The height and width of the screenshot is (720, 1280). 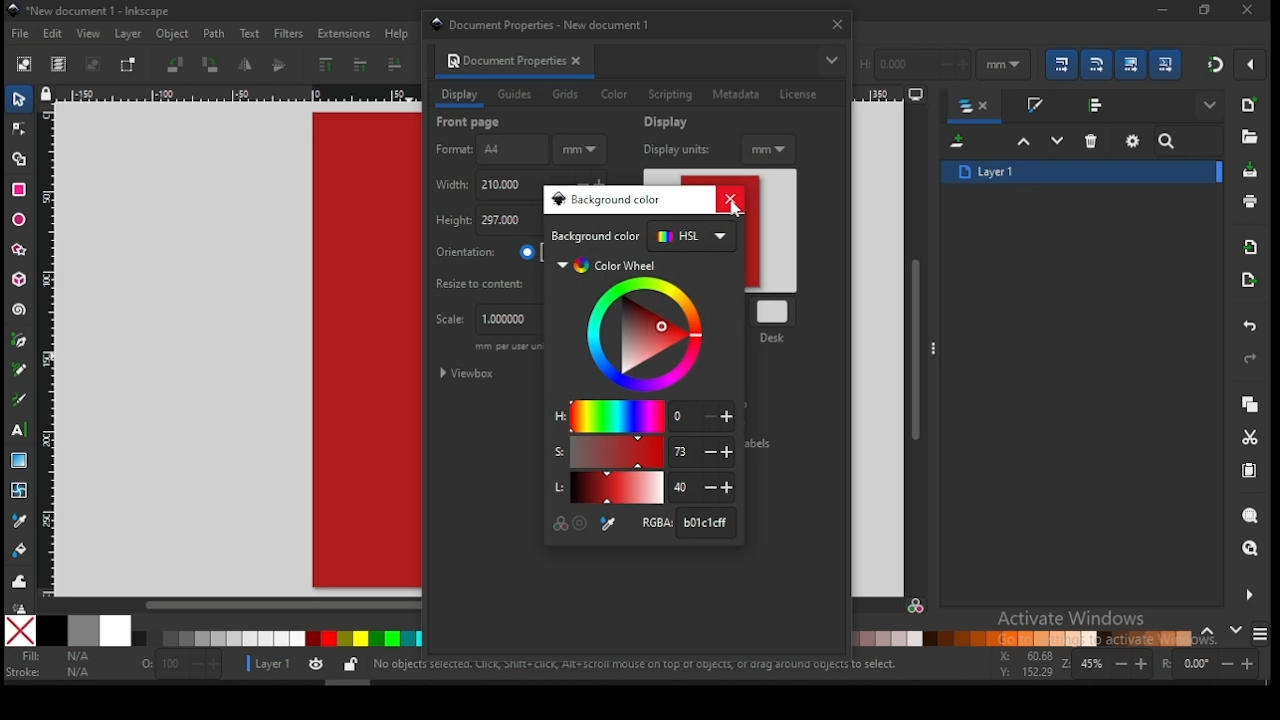 What do you see at coordinates (249, 33) in the screenshot?
I see `text` at bounding box center [249, 33].